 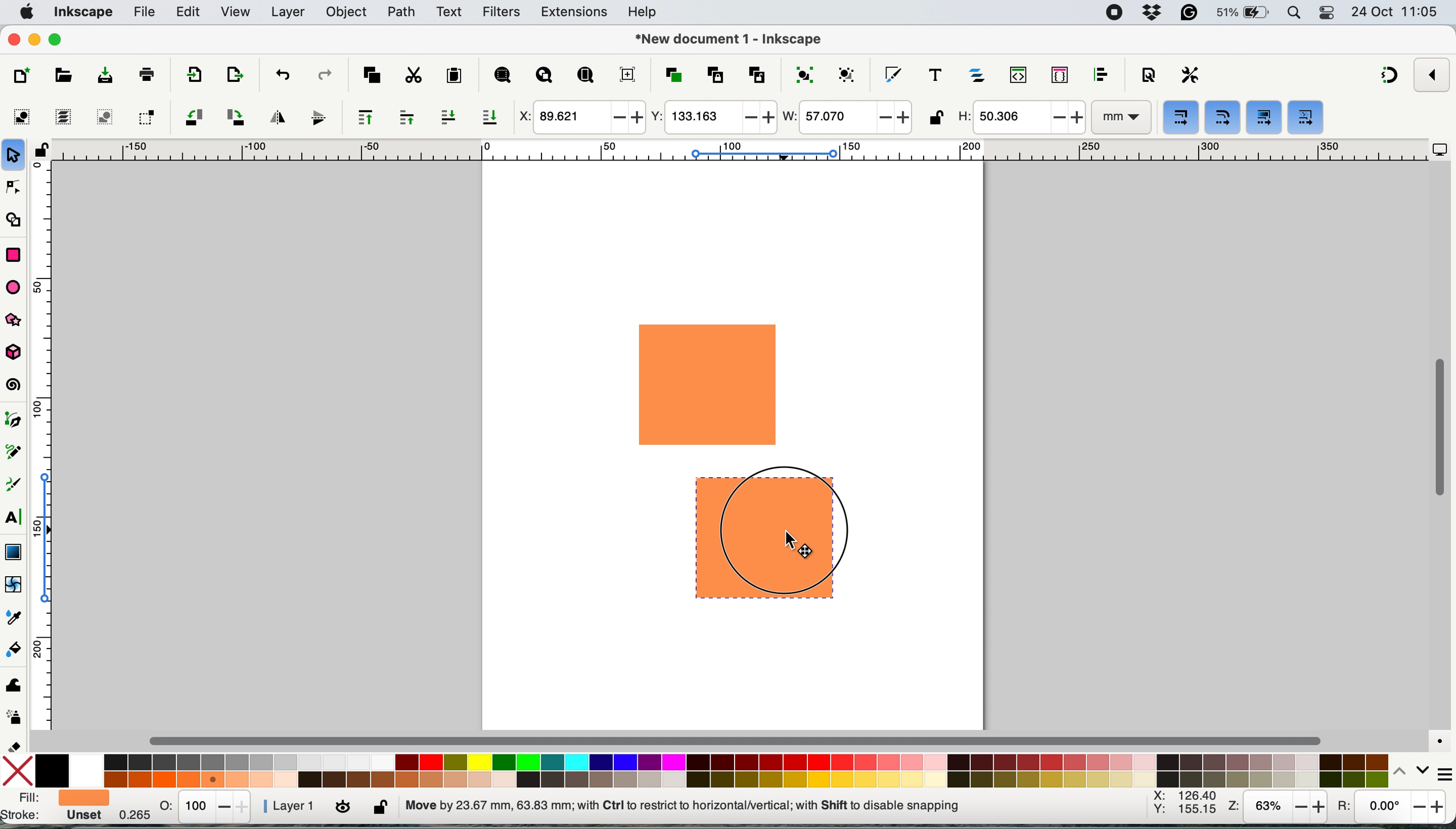 What do you see at coordinates (401, 12) in the screenshot?
I see `path` at bounding box center [401, 12].